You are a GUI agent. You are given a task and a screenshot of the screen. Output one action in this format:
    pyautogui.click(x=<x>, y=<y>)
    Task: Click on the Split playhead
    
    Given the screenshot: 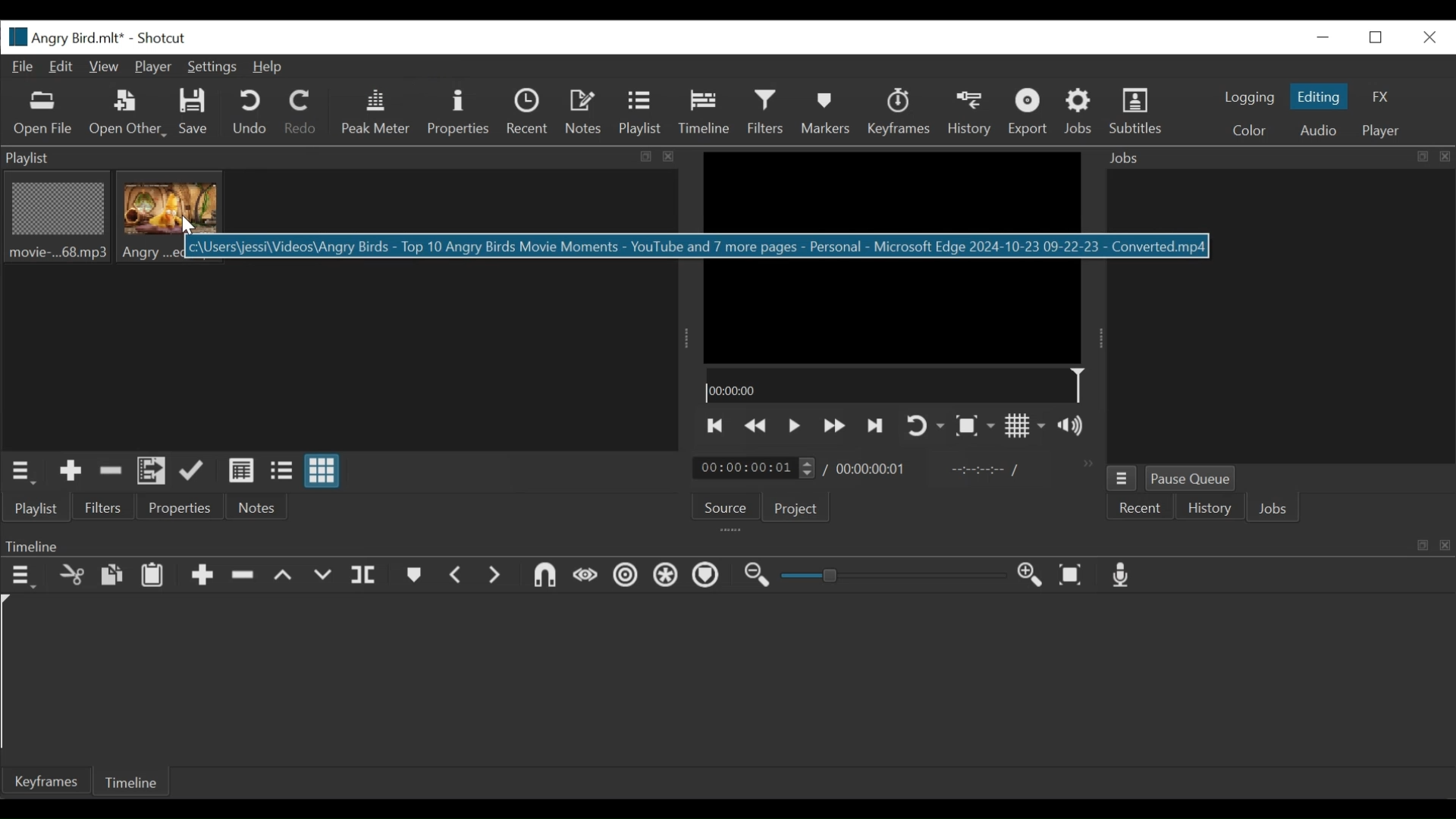 What is the action you would take?
    pyautogui.click(x=363, y=578)
    